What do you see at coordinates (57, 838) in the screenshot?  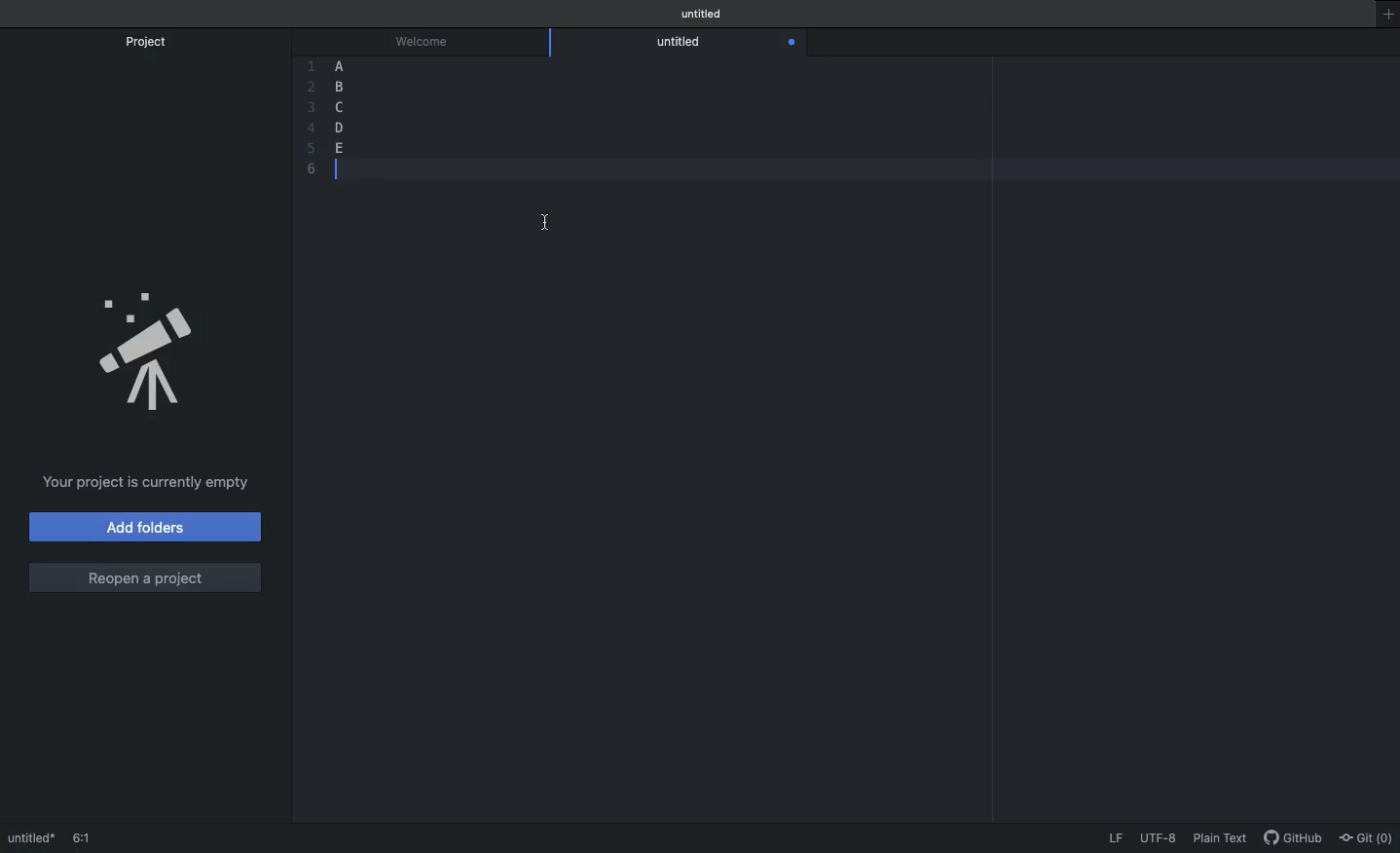 I see `untitled® 6:1` at bounding box center [57, 838].